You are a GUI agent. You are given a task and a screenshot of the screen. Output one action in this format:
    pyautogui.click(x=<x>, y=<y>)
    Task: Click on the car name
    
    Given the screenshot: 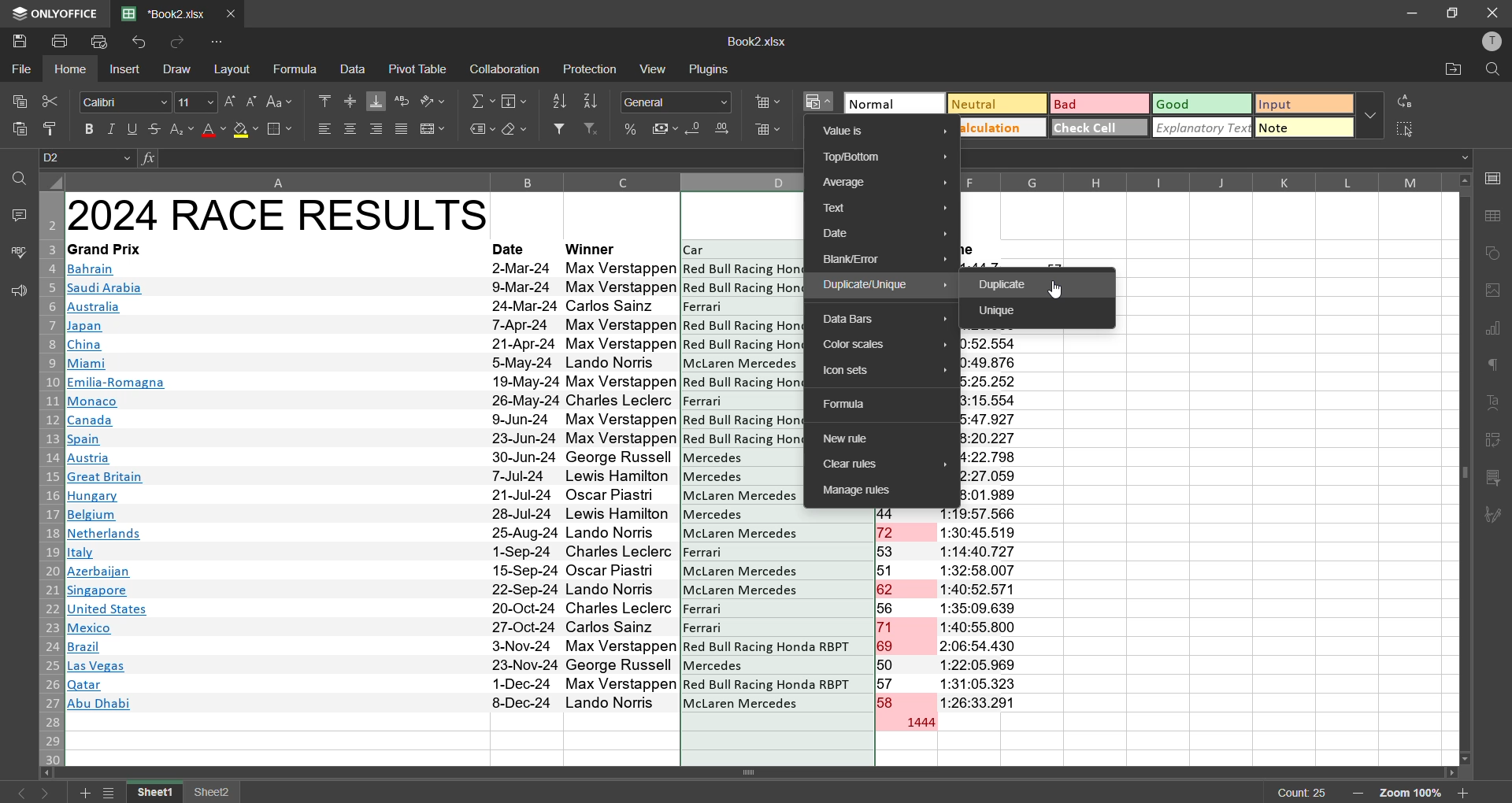 What is the action you would take?
    pyautogui.click(x=742, y=478)
    